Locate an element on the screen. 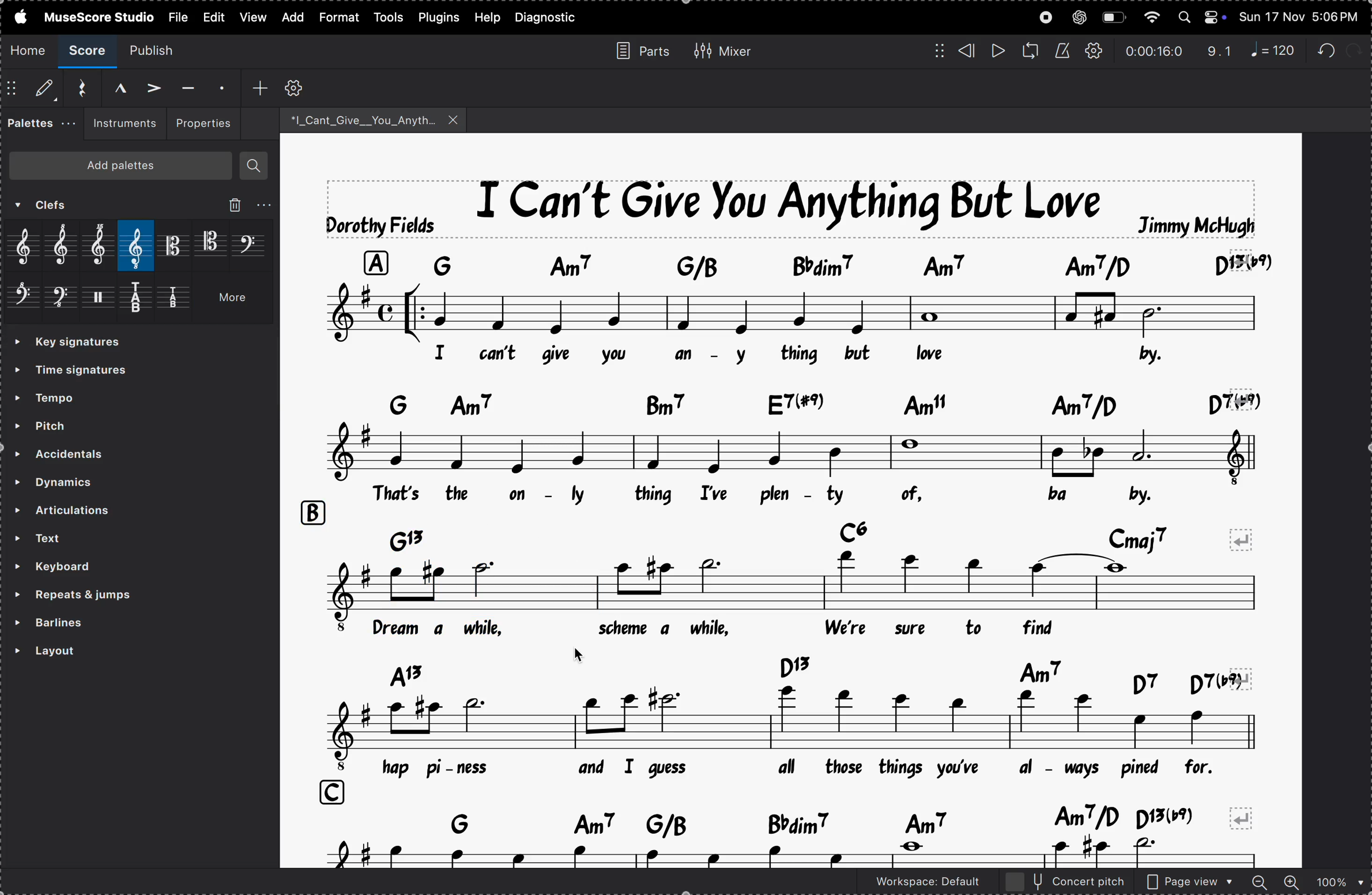  keyboard is located at coordinates (87, 567).